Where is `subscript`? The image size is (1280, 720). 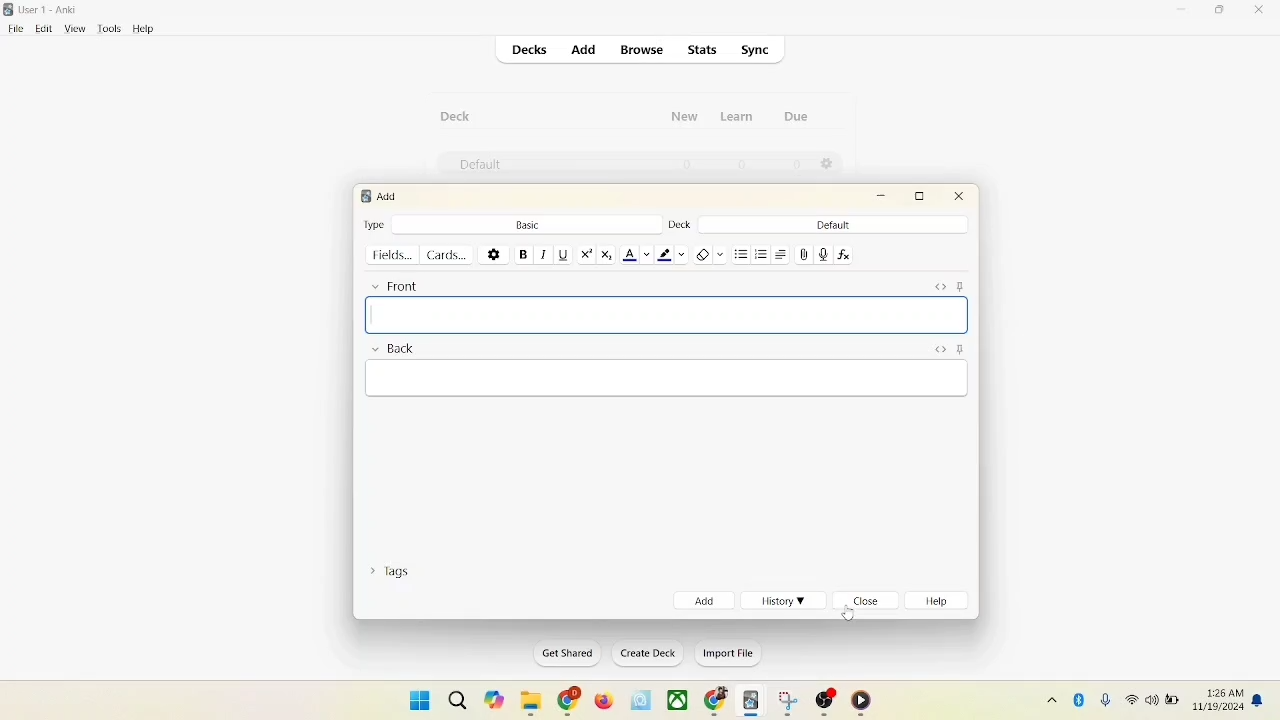 subscript is located at coordinates (607, 255).